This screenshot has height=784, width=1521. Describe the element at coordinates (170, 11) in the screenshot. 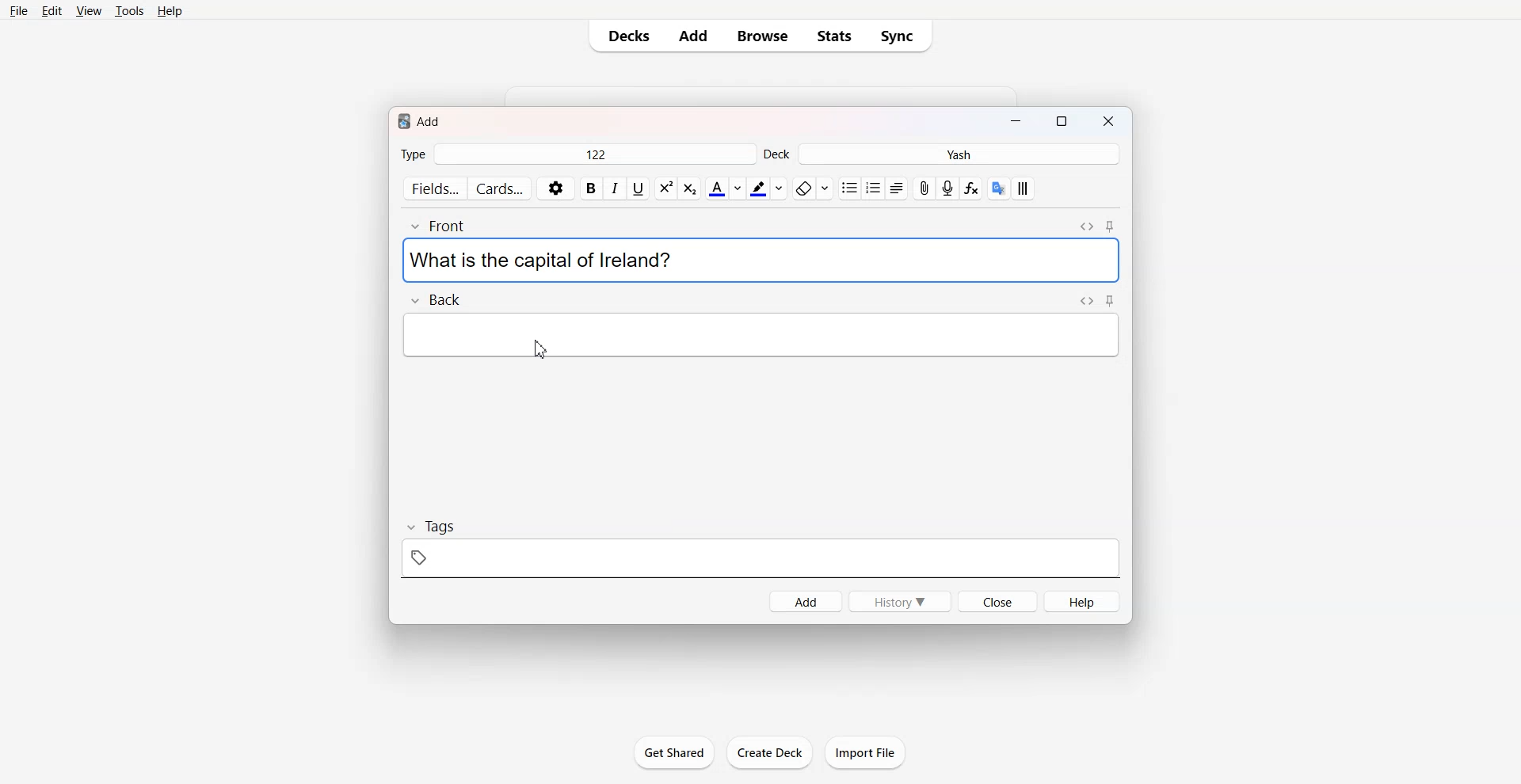

I see `Help` at that location.